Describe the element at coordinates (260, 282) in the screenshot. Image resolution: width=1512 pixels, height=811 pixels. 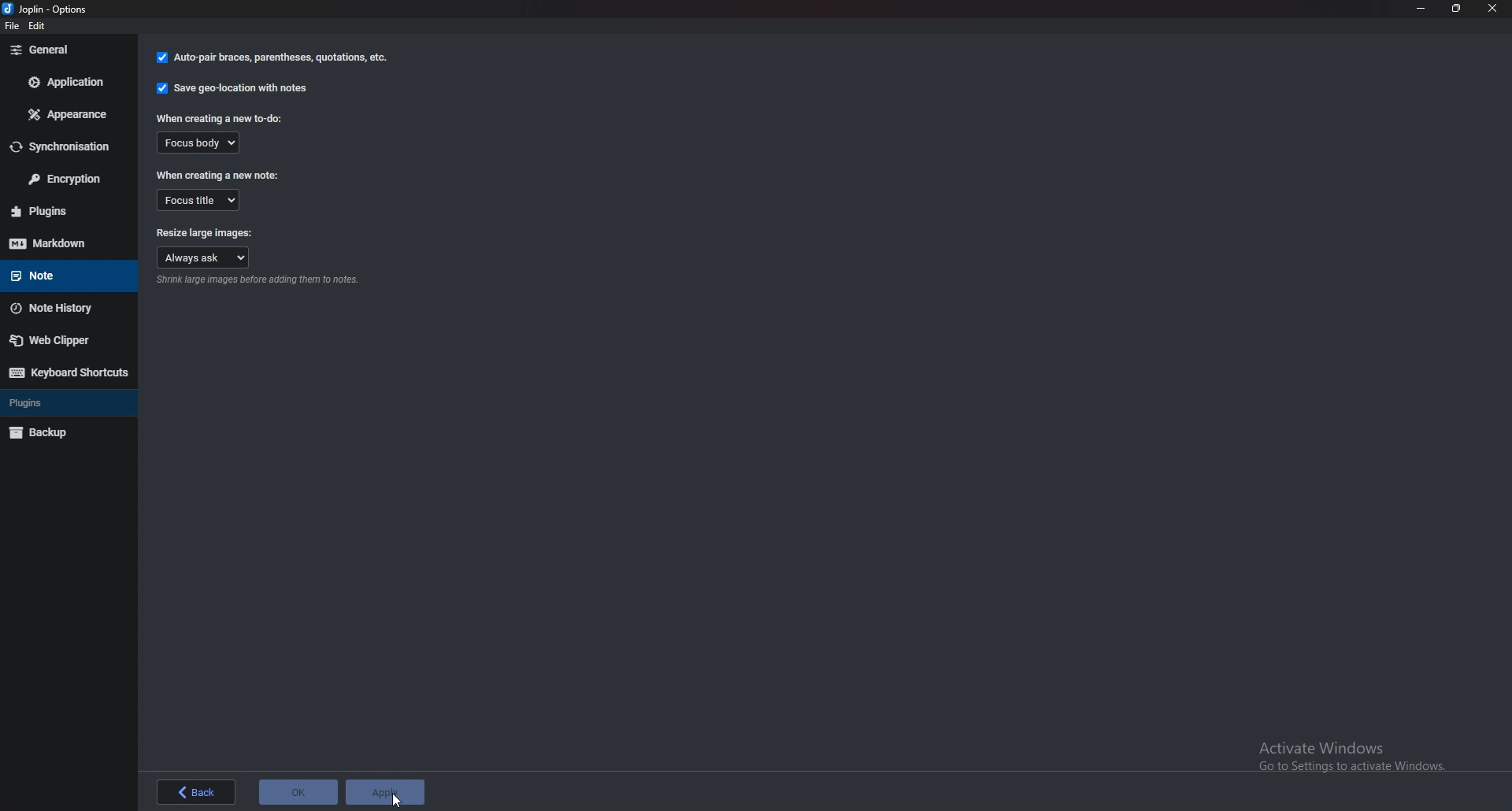
I see `Info` at that location.